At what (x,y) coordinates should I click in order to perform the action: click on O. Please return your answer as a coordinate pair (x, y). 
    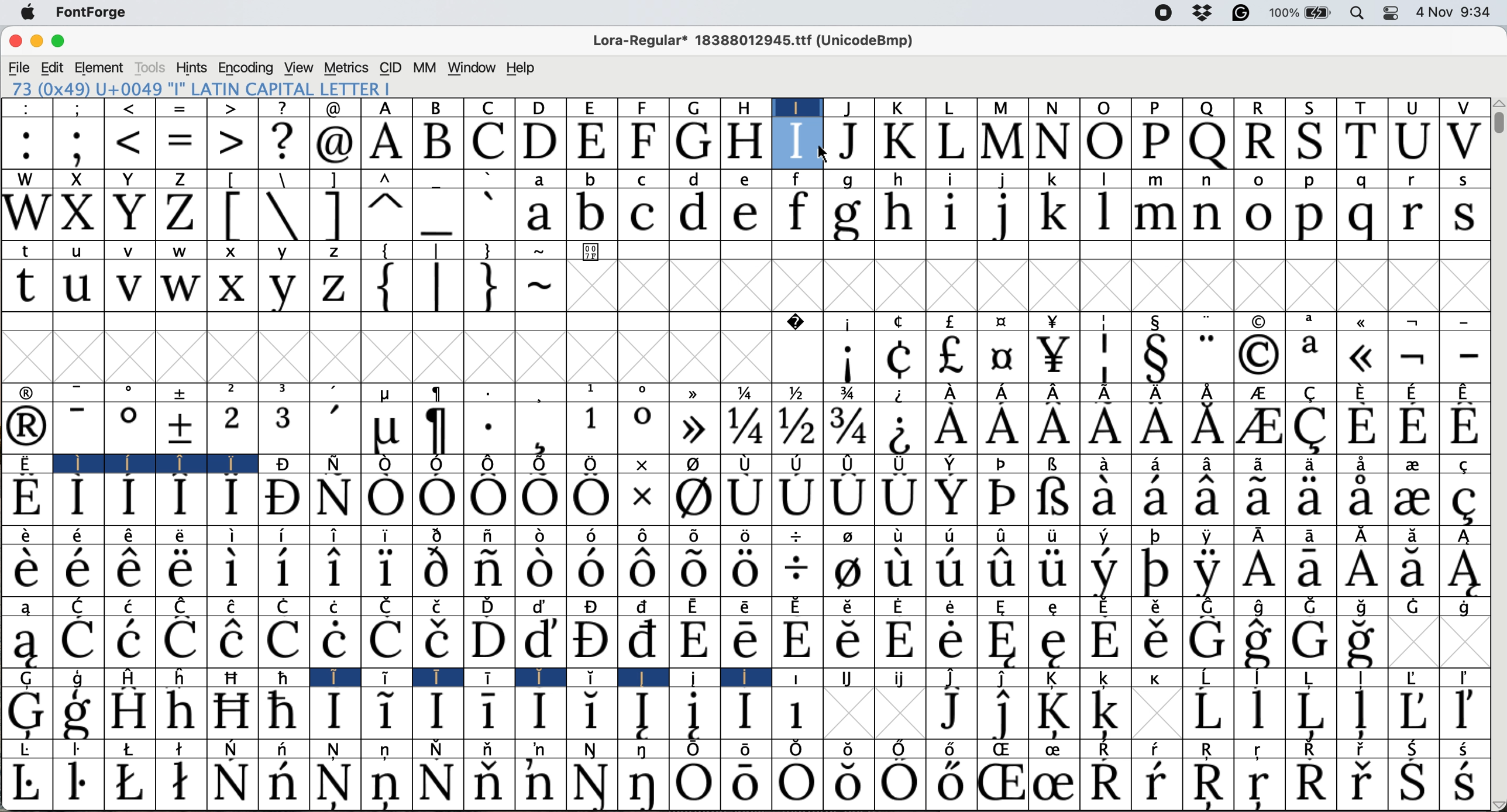
    Looking at the image, I should click on (1105, 143).